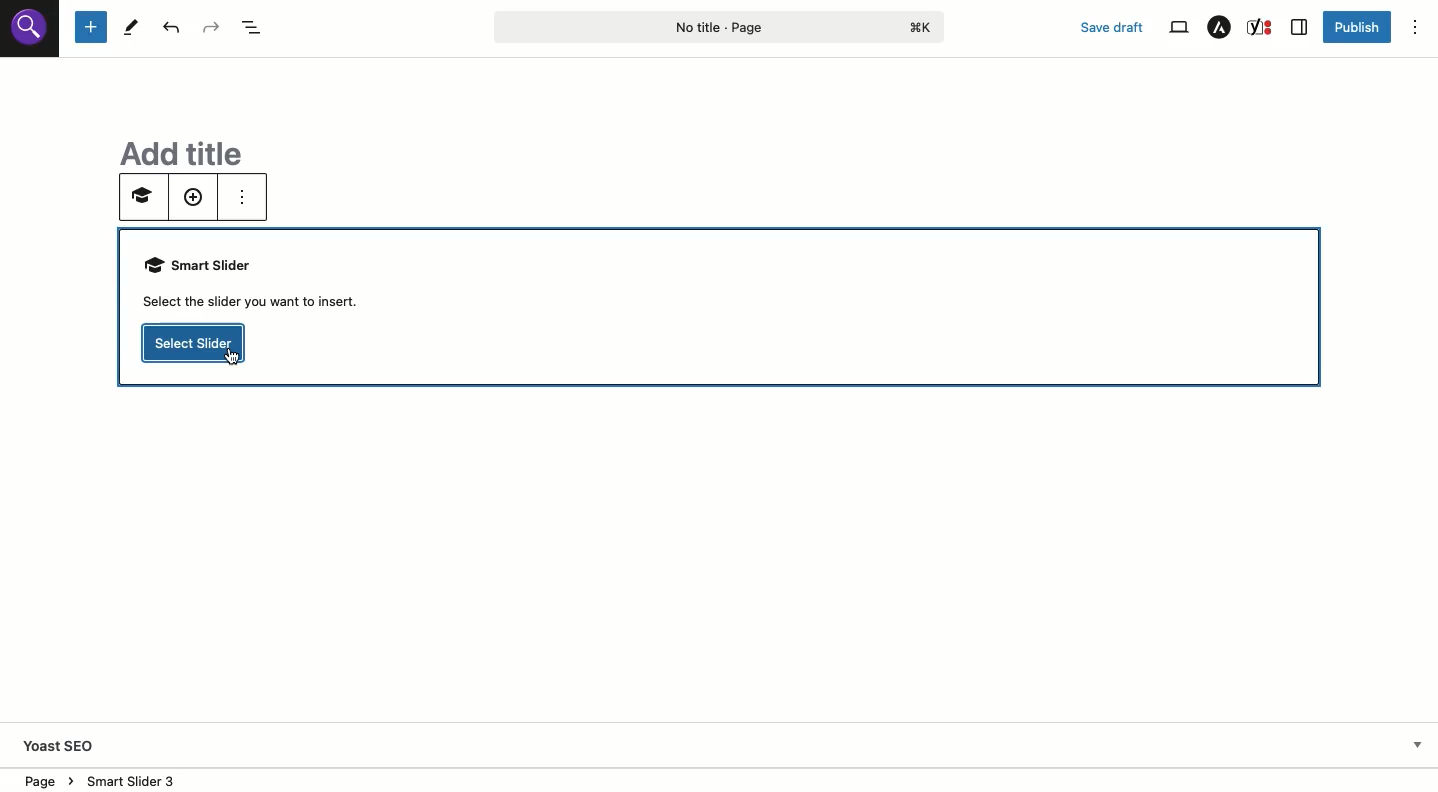 The height and width of the screenshot is (792, 1438). What do you see at coordinates (31, 34) in the screenshot?
I see `search` at bounding box center [31, 34].